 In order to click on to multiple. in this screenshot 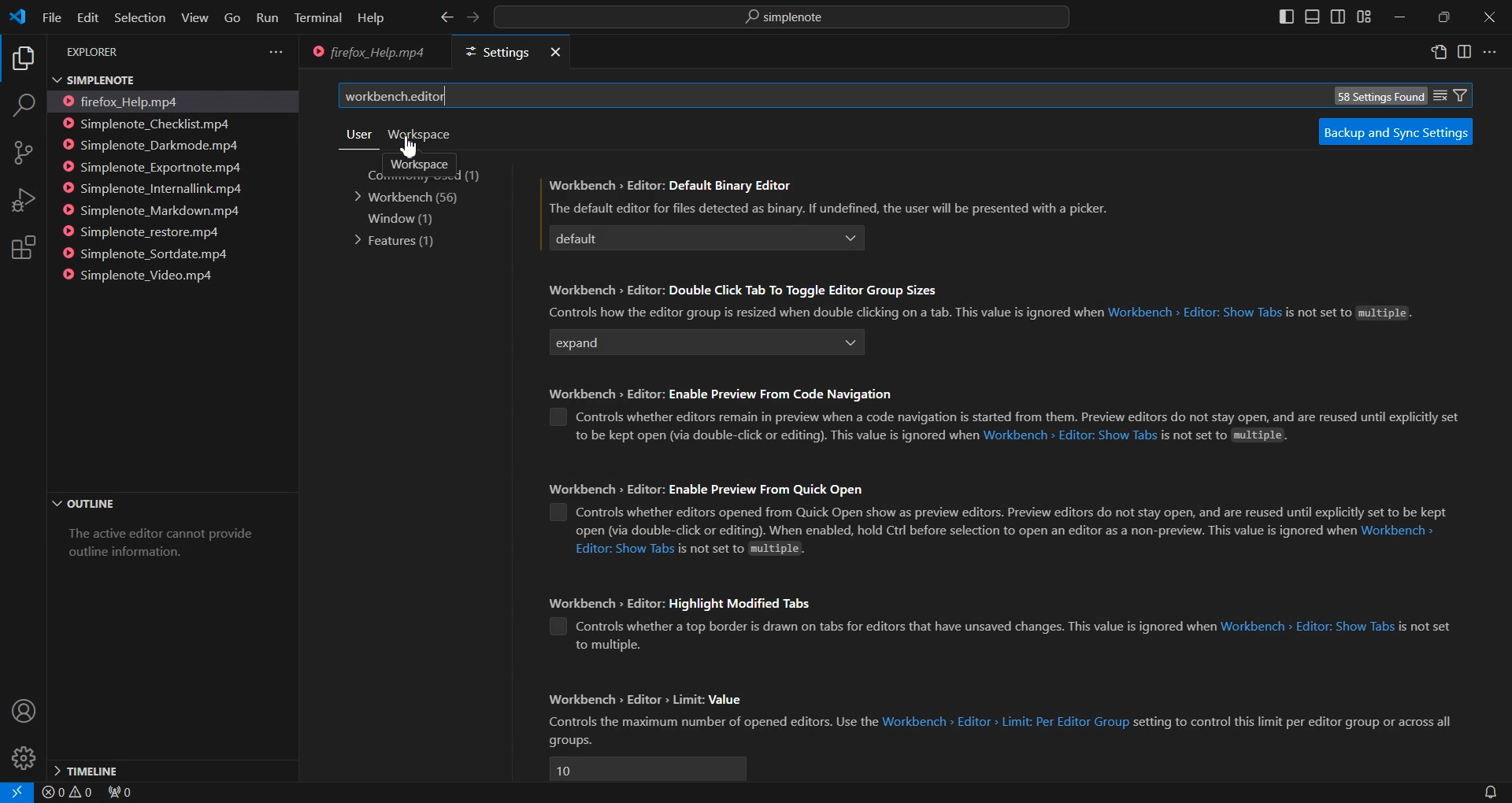, I will do `click(608, 646)`.